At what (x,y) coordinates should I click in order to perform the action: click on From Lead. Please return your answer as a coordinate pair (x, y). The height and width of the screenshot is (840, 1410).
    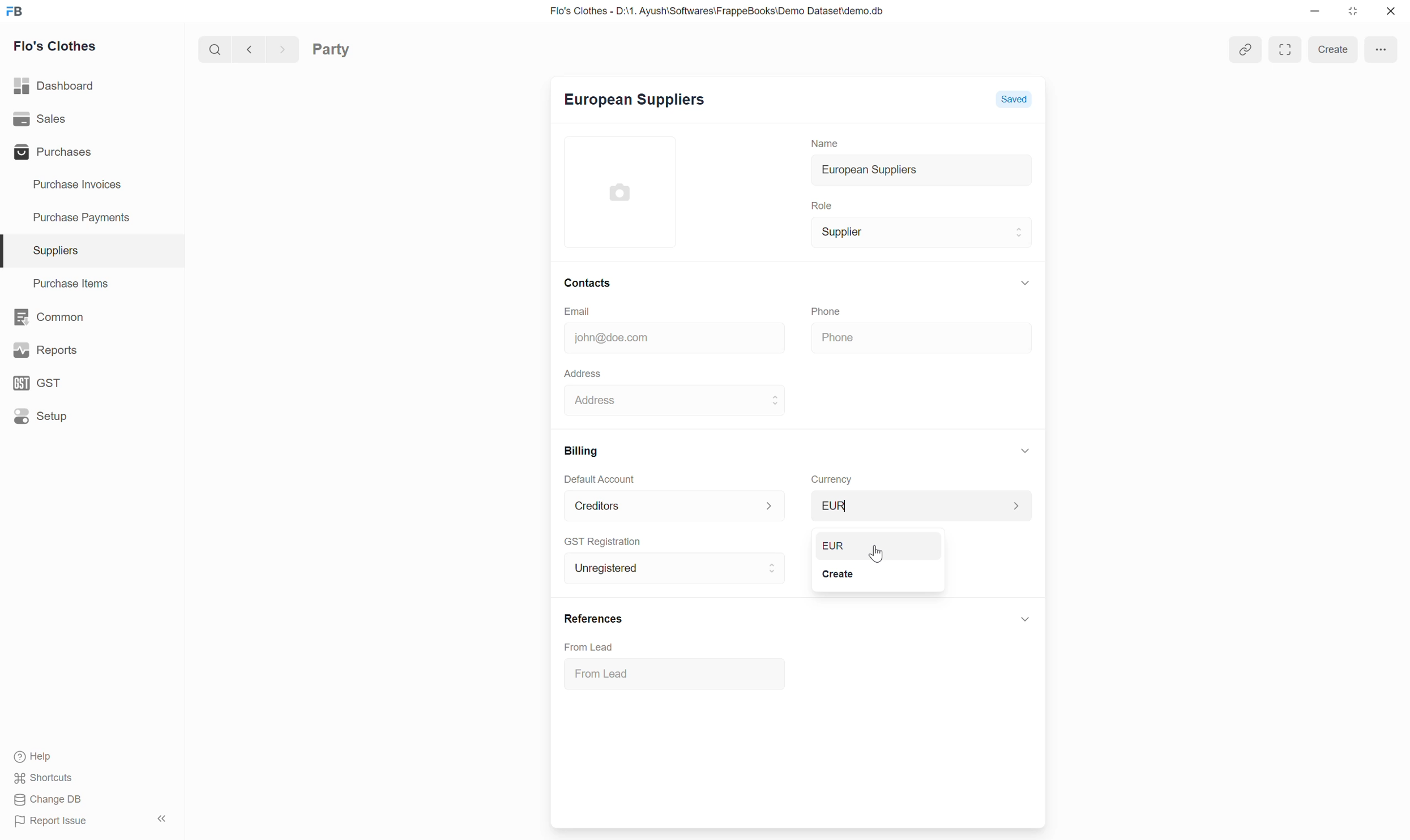
    Looking at the image, I should click on (597, 646).